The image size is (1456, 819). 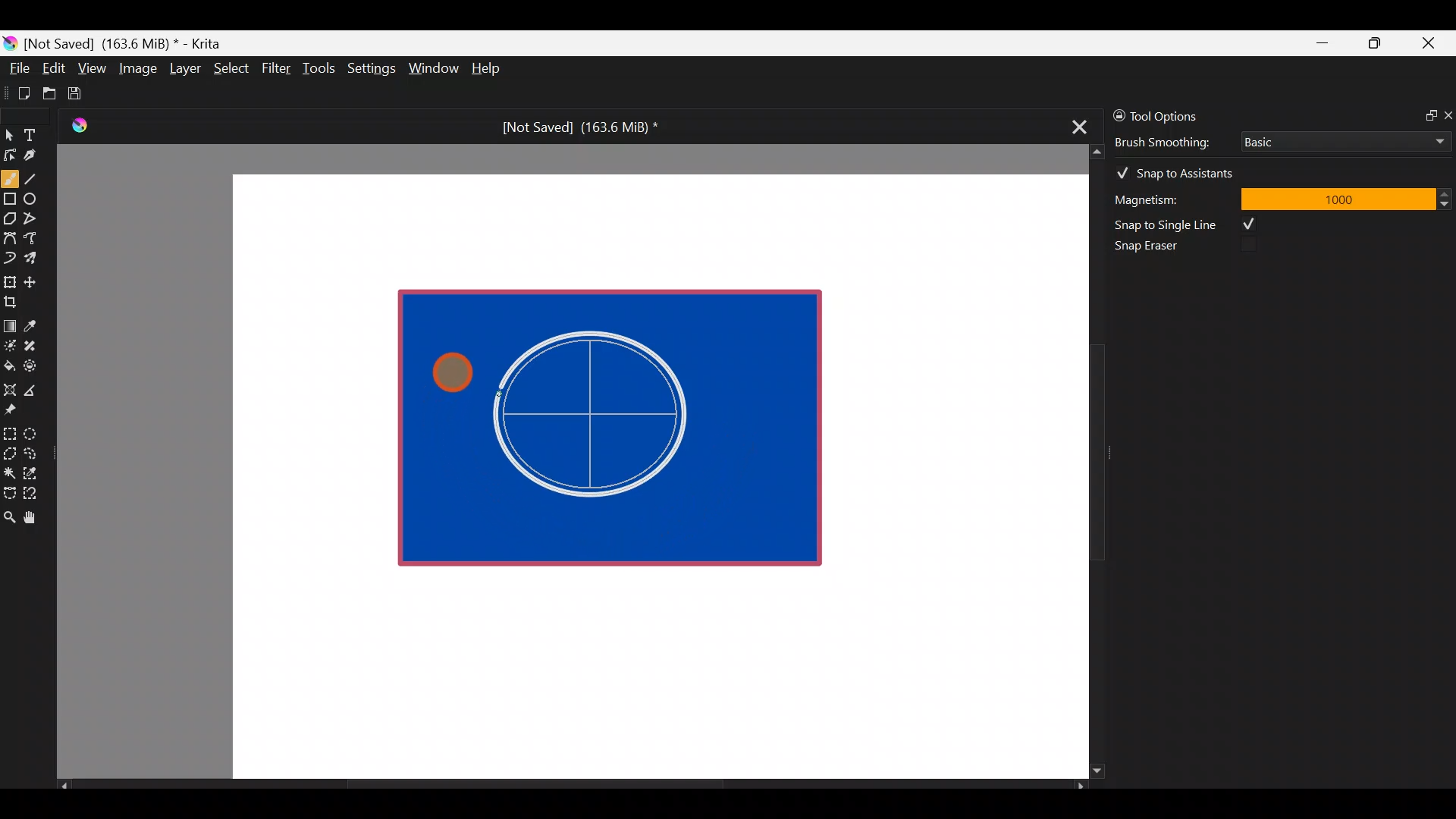 What do you see at coordinates (53, 71) in the screenshot?
I see `Edit` at bounding box center [53, 71].